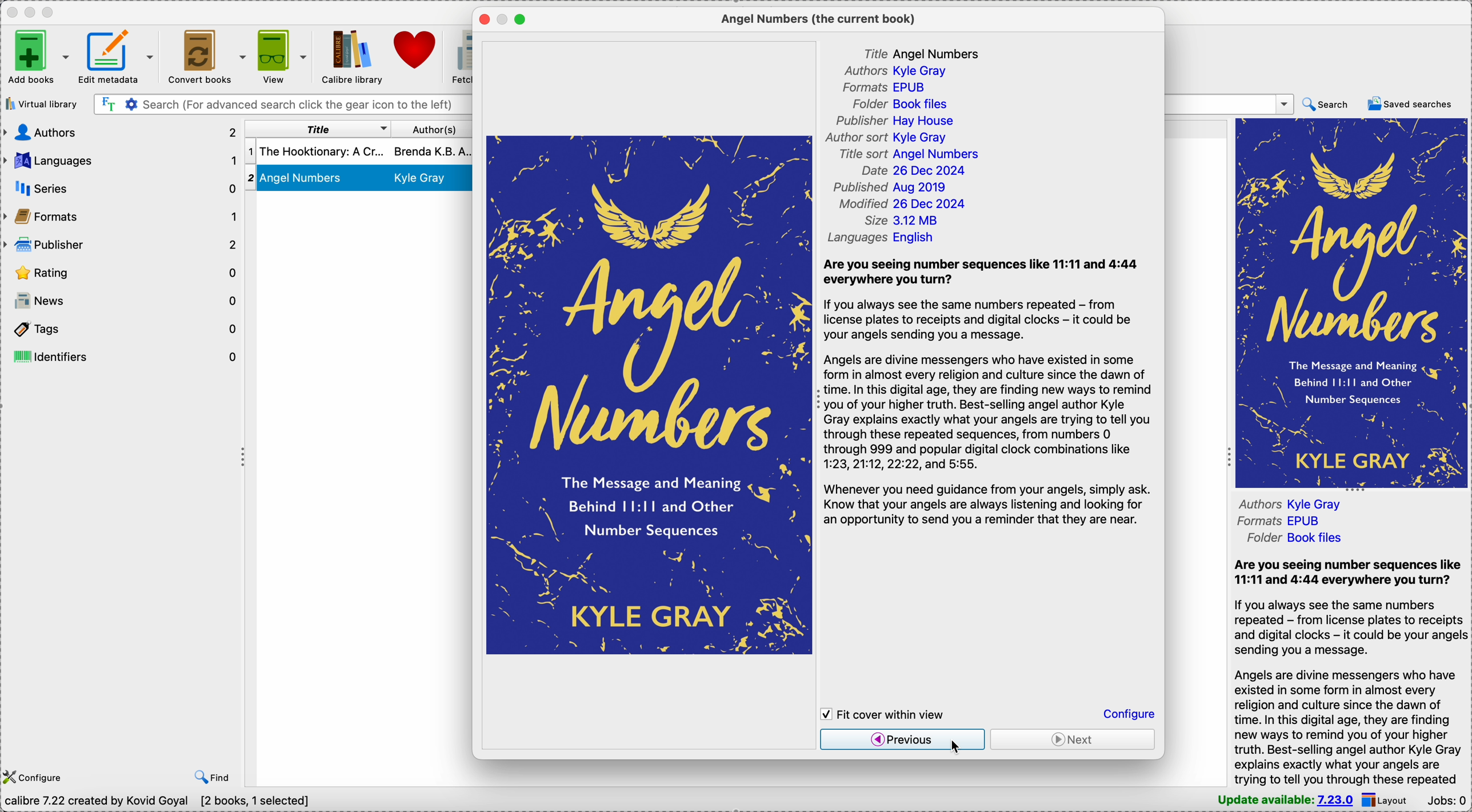  Describe the element at coordinates (905, 221) in the screenshot. I see `modified` at that location.